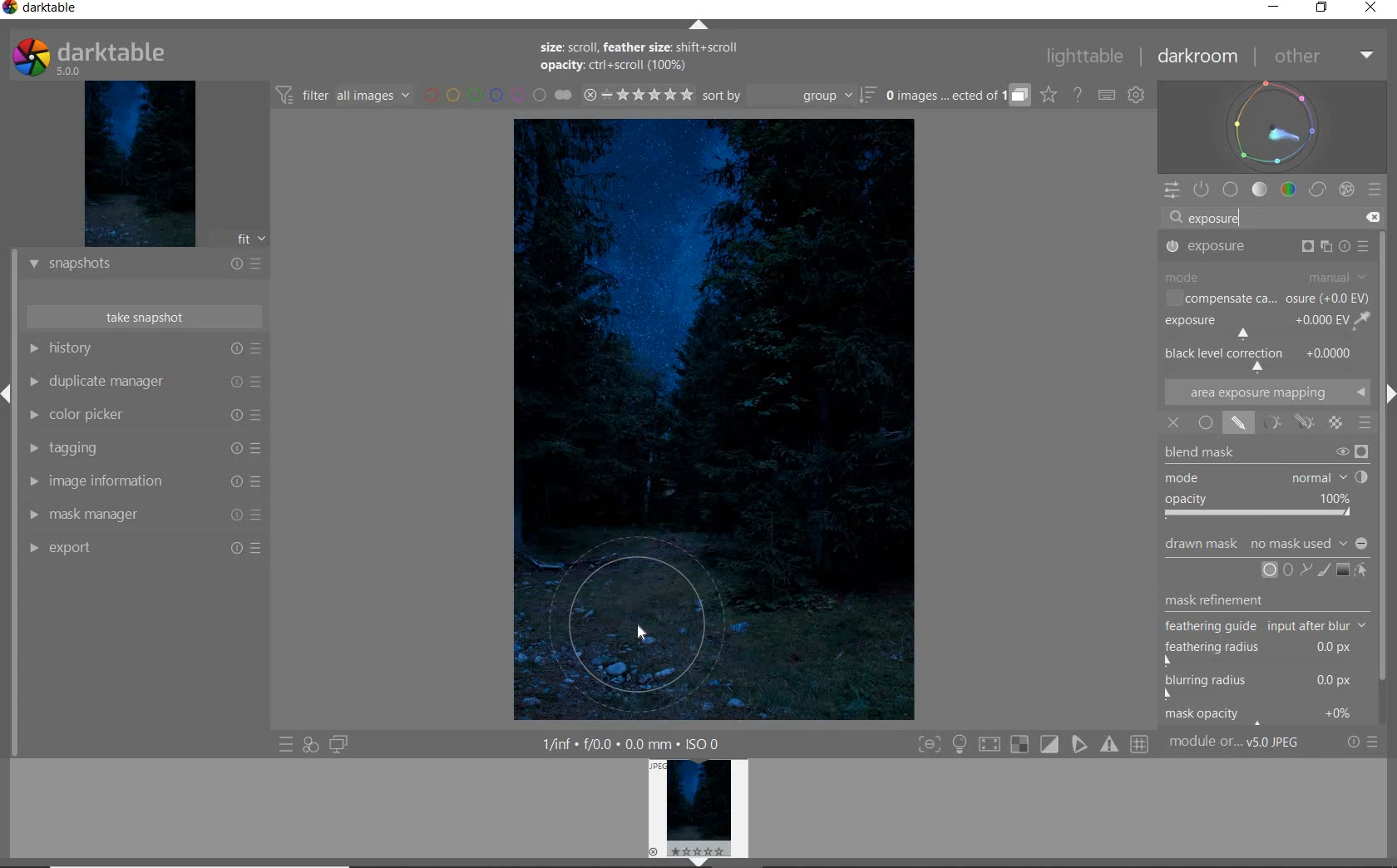 The width and height of the screenshot is (1397, 868). Describe the element at coordinates (1286, 422) in the screenshot. I see `MASK OPTIONS` at that location.